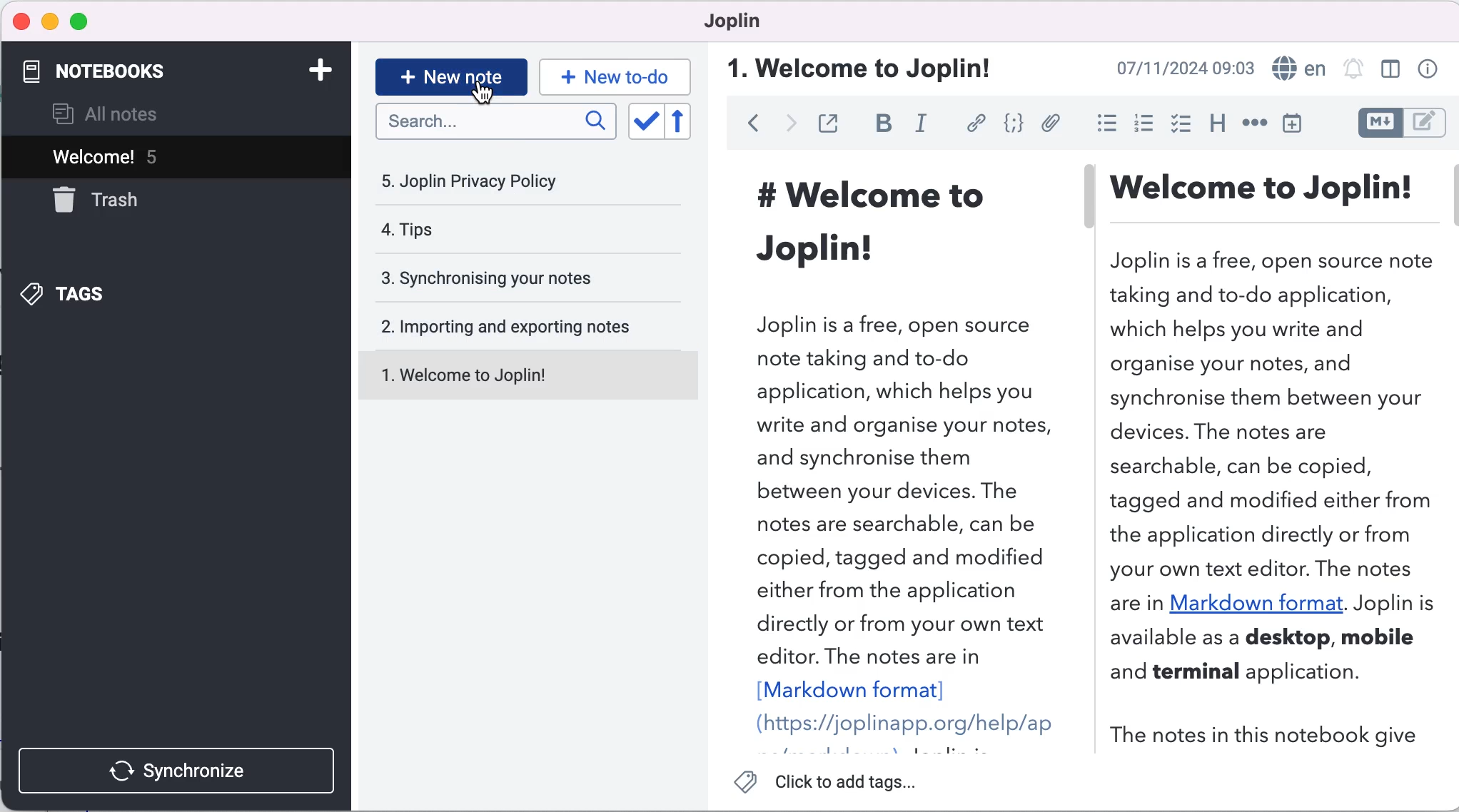 Image resolution: width=1459 pixels, height=812 pixels. What do you see at coordinates (832, 785) in the screenshot?
I see `click to add tags` at bounding box center [832, 785].